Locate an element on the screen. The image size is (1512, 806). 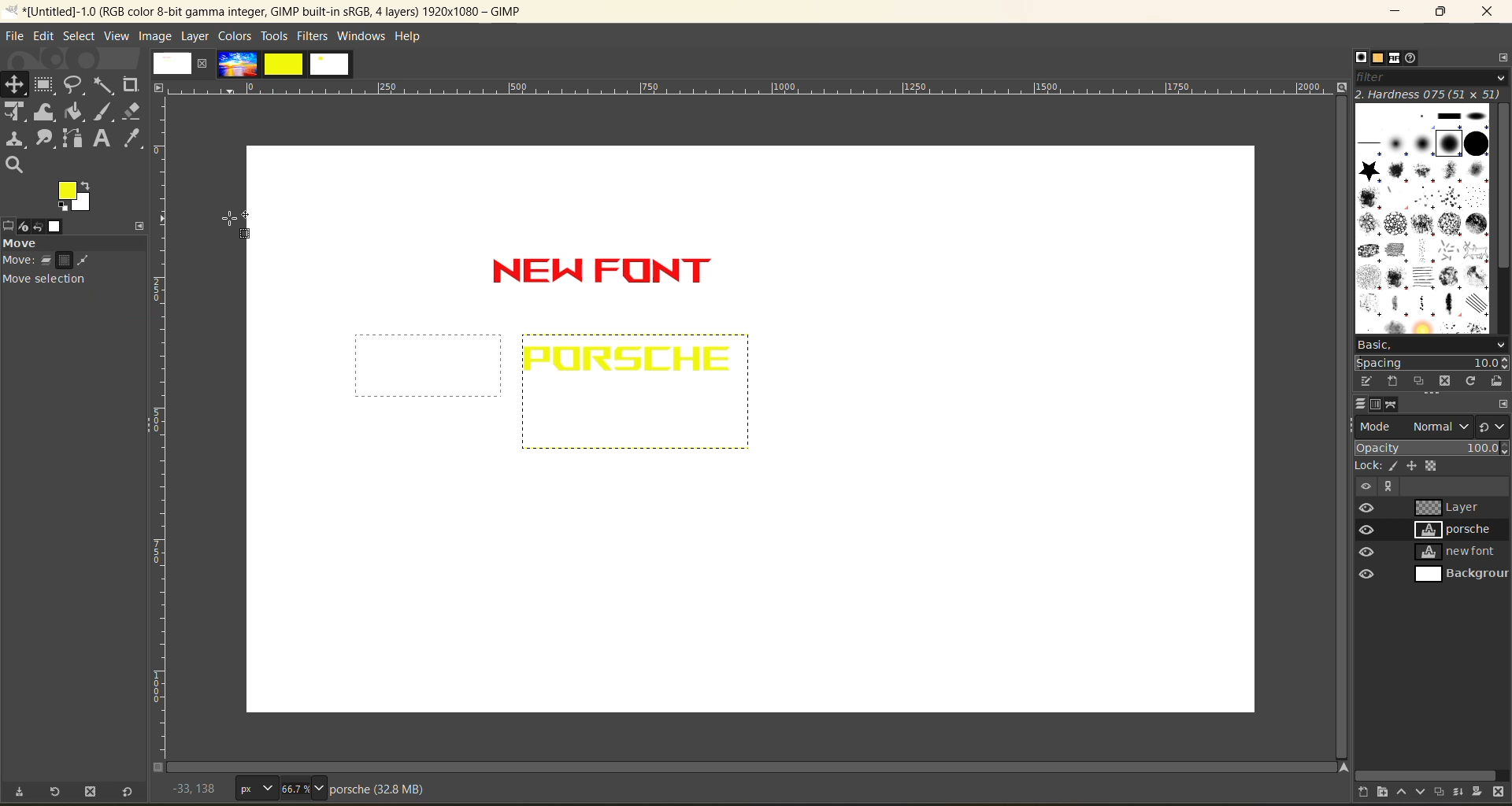
metadata is located at coordinates (378, 789).